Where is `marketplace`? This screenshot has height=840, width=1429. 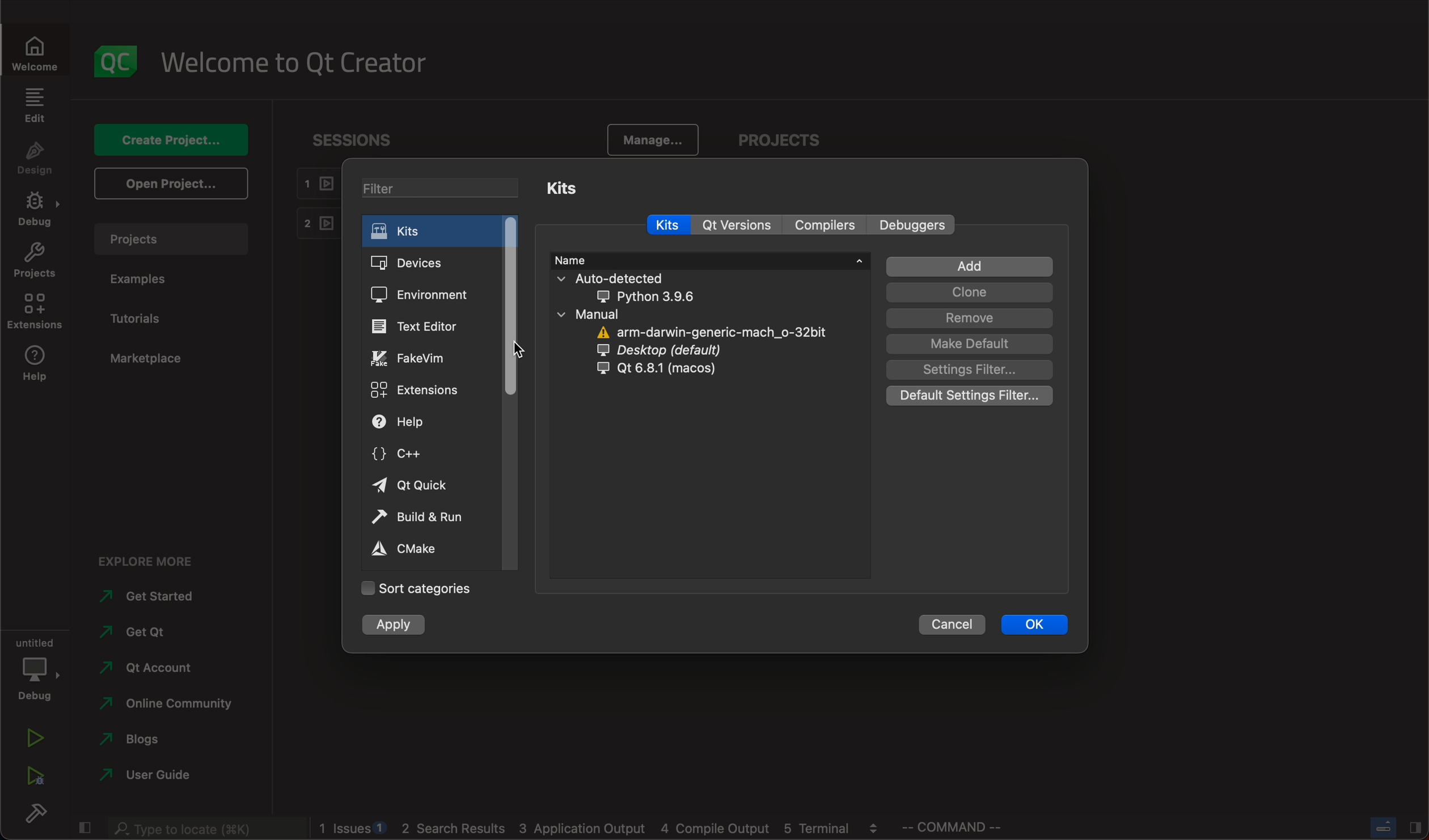
marketplace is located at coordinates (153, 360).